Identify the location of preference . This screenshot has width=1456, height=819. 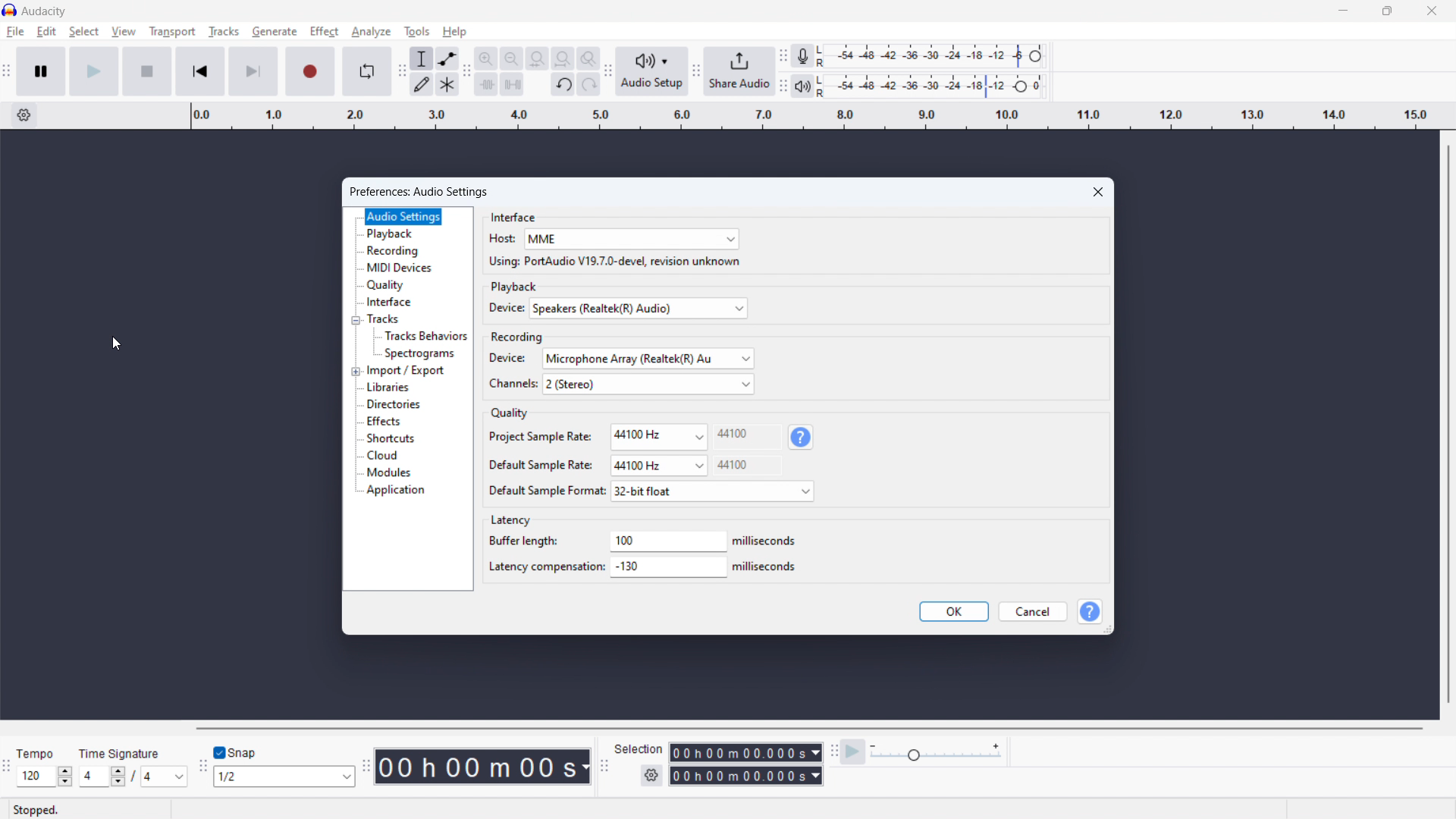
(419, 192).